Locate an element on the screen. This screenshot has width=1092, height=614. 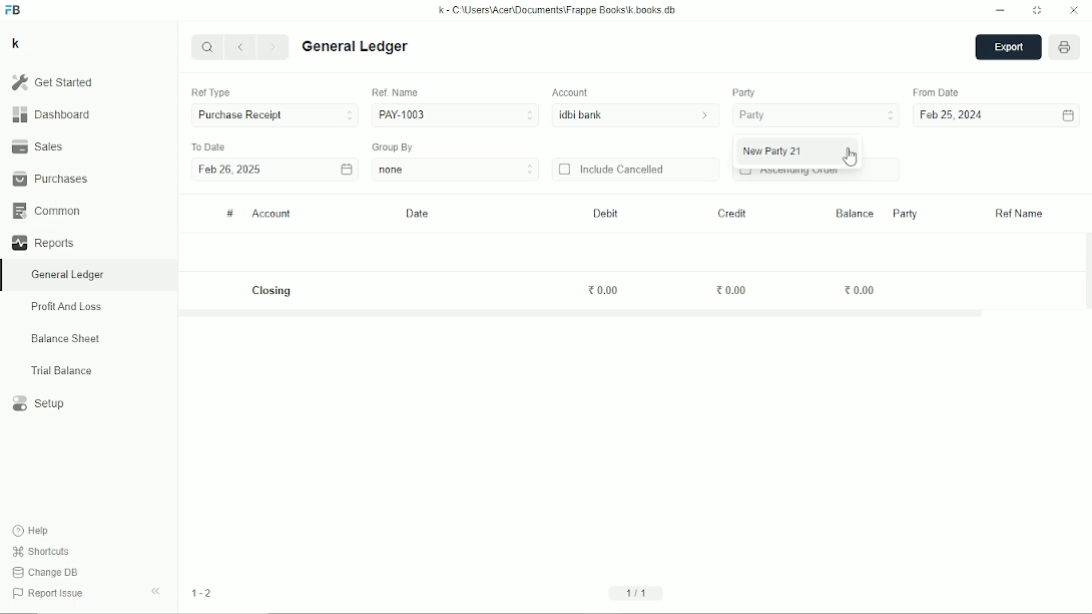
Change DB is located at coordinates (46, 572).